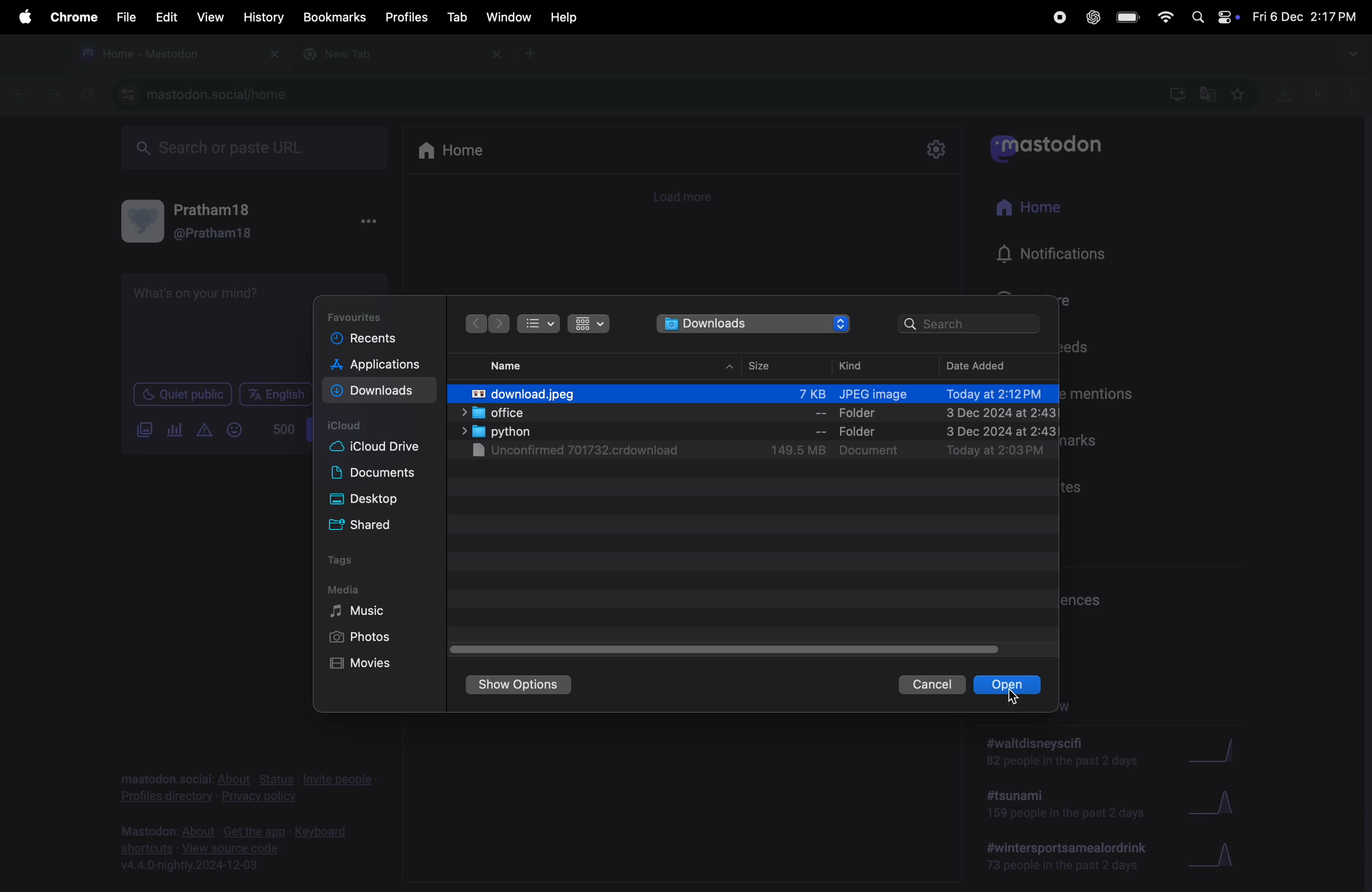  What do you see at coordinates (256, 146) in the screenshot?
I see `search url` at bounding box center [256, 146].